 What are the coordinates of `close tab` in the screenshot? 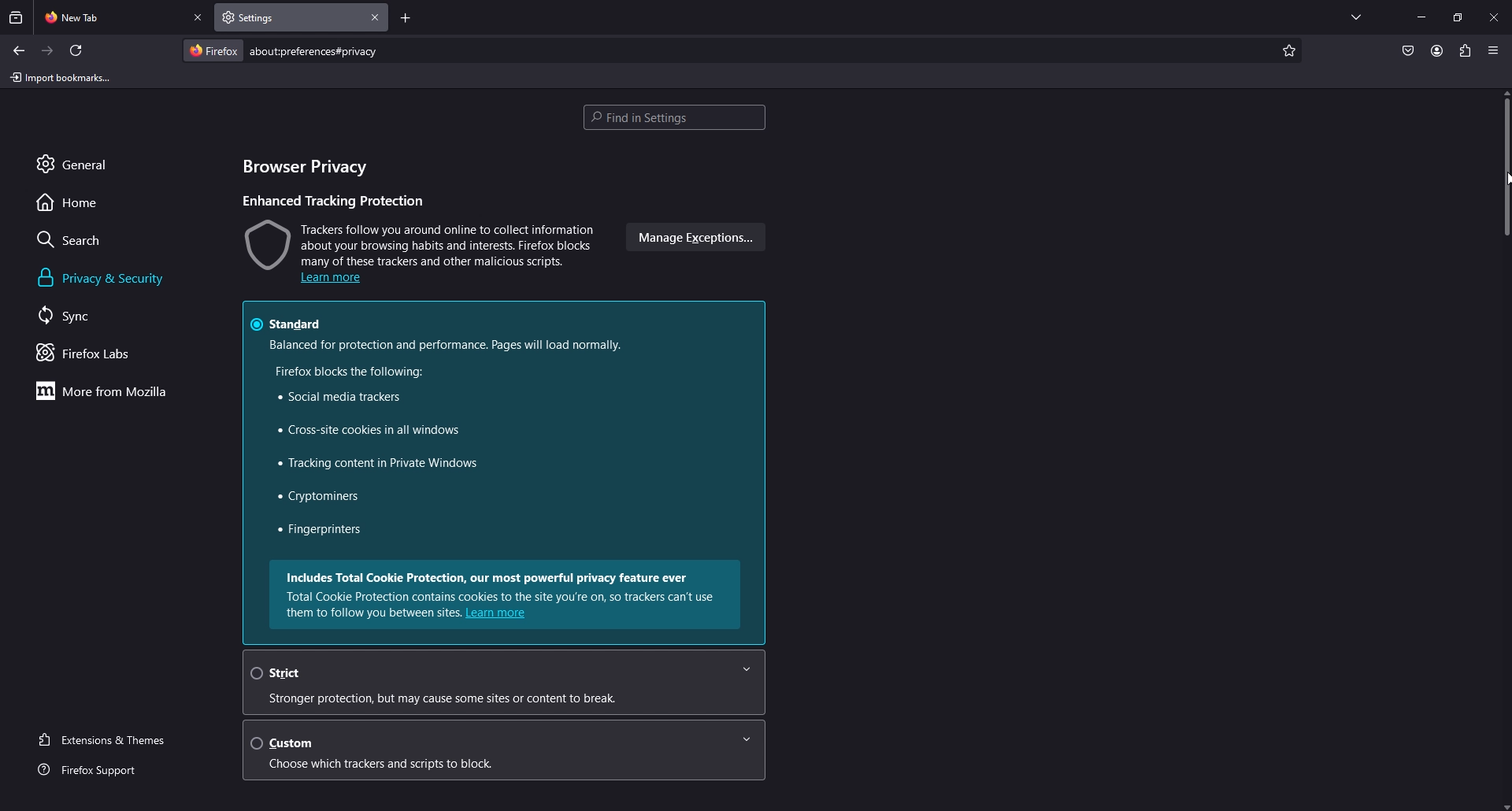 It's located at (376, 17).